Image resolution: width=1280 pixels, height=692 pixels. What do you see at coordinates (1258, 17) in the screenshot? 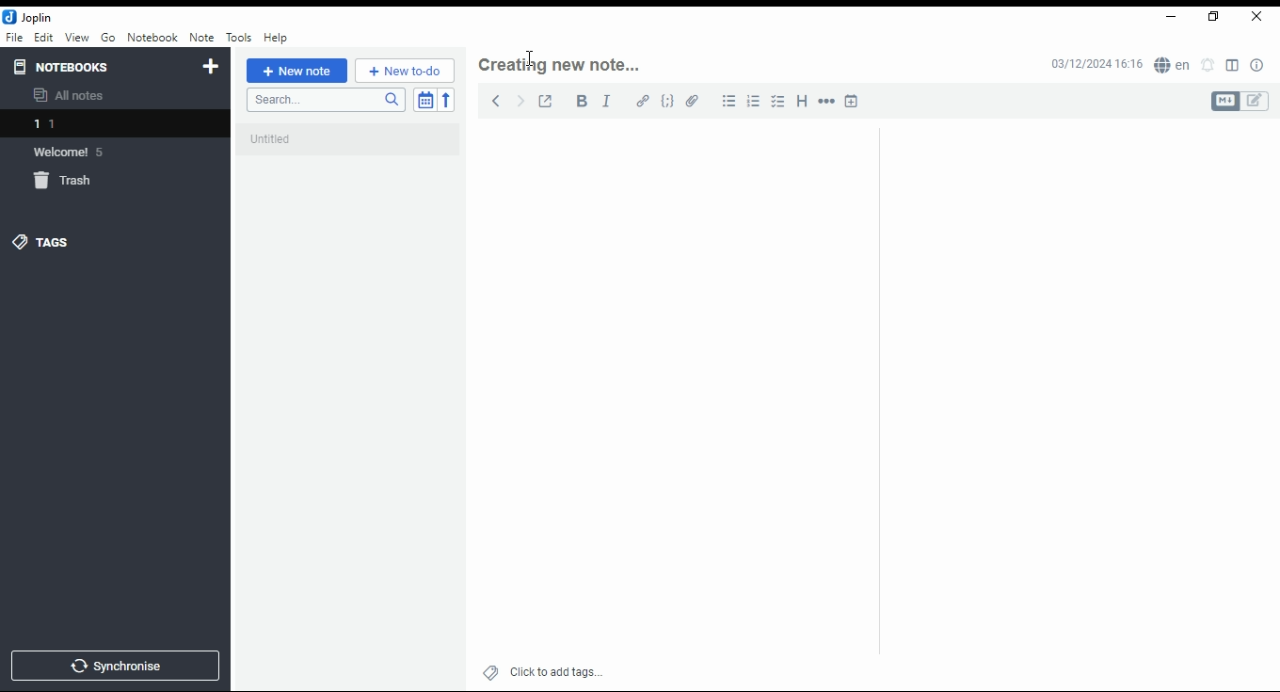
I see `close window` at bounding box center [1258, 17].